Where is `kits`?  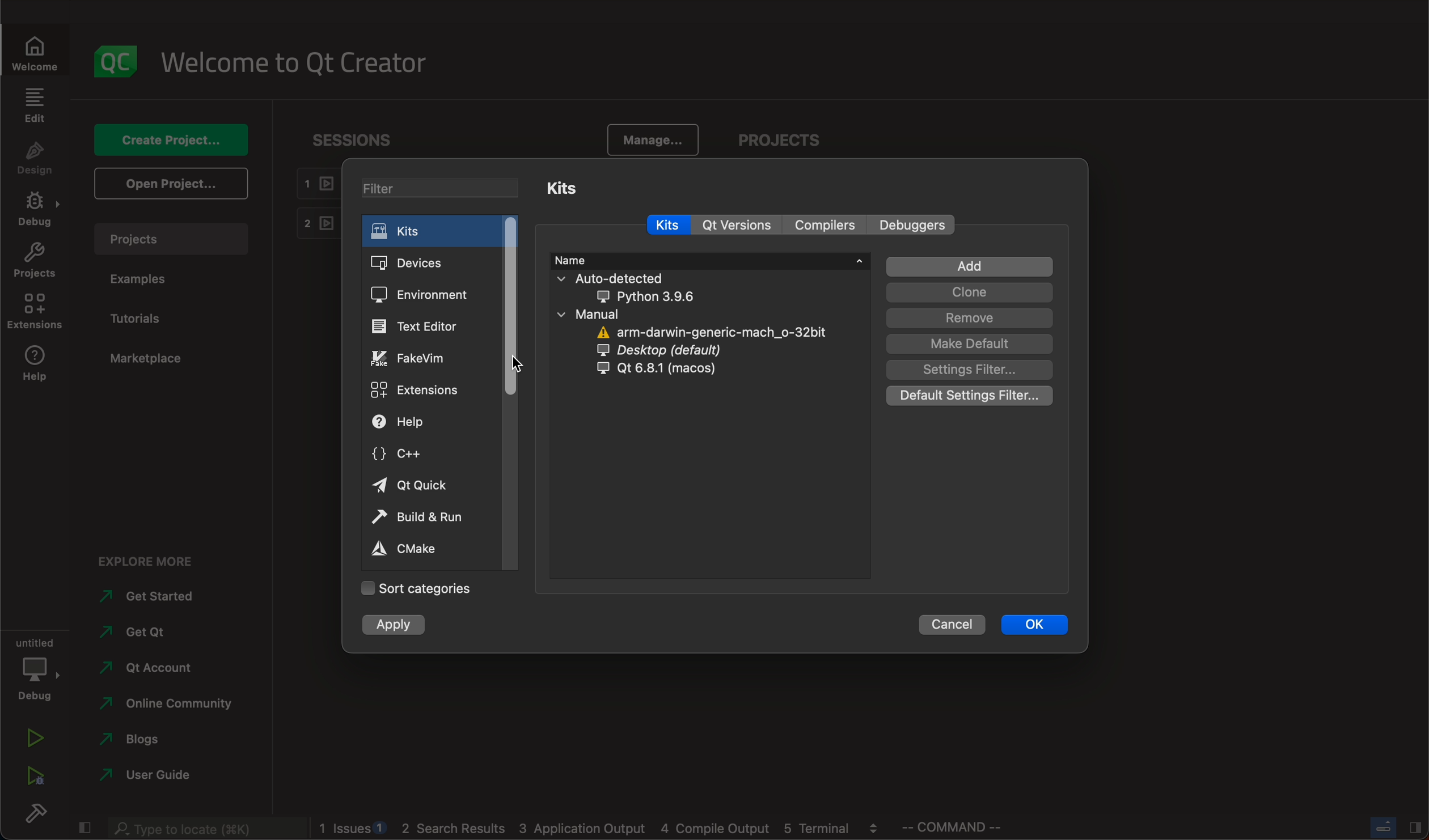
kits is located at coordinates (669, 222).